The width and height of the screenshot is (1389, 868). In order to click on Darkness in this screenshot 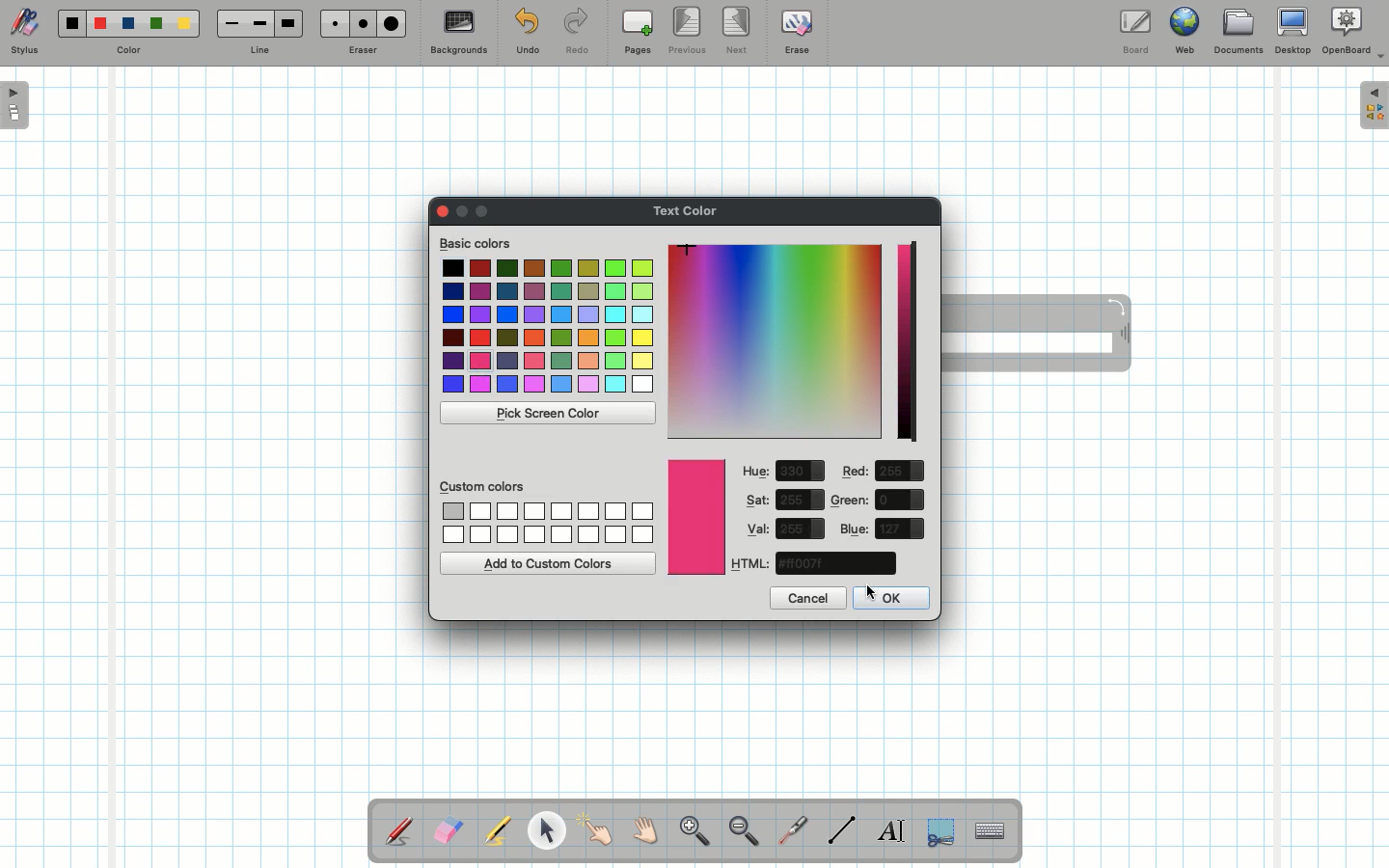, I will do `click(912, 343)`.